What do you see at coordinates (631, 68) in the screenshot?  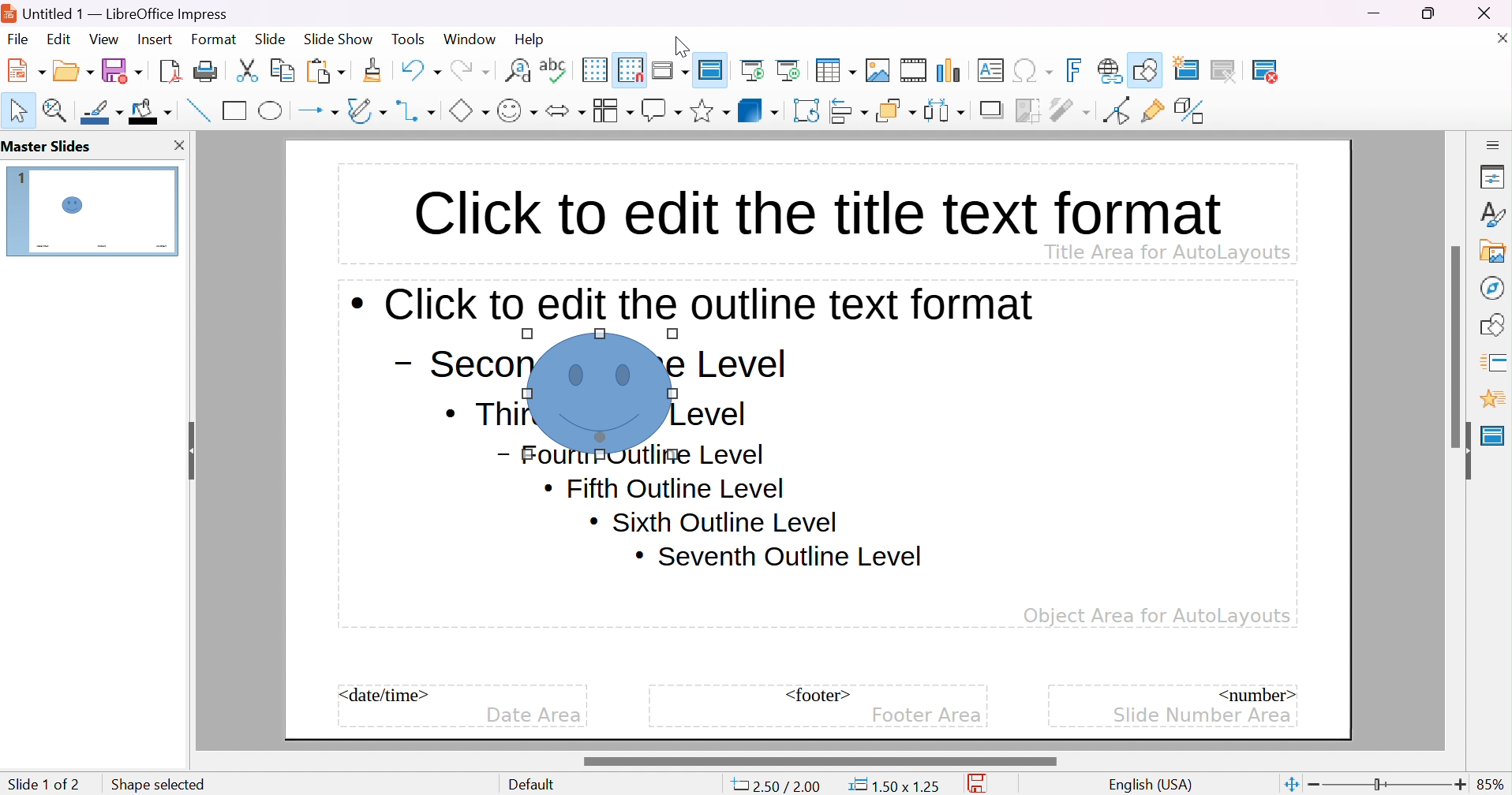 I see `snap to grid` at bounding box center [631, 68].